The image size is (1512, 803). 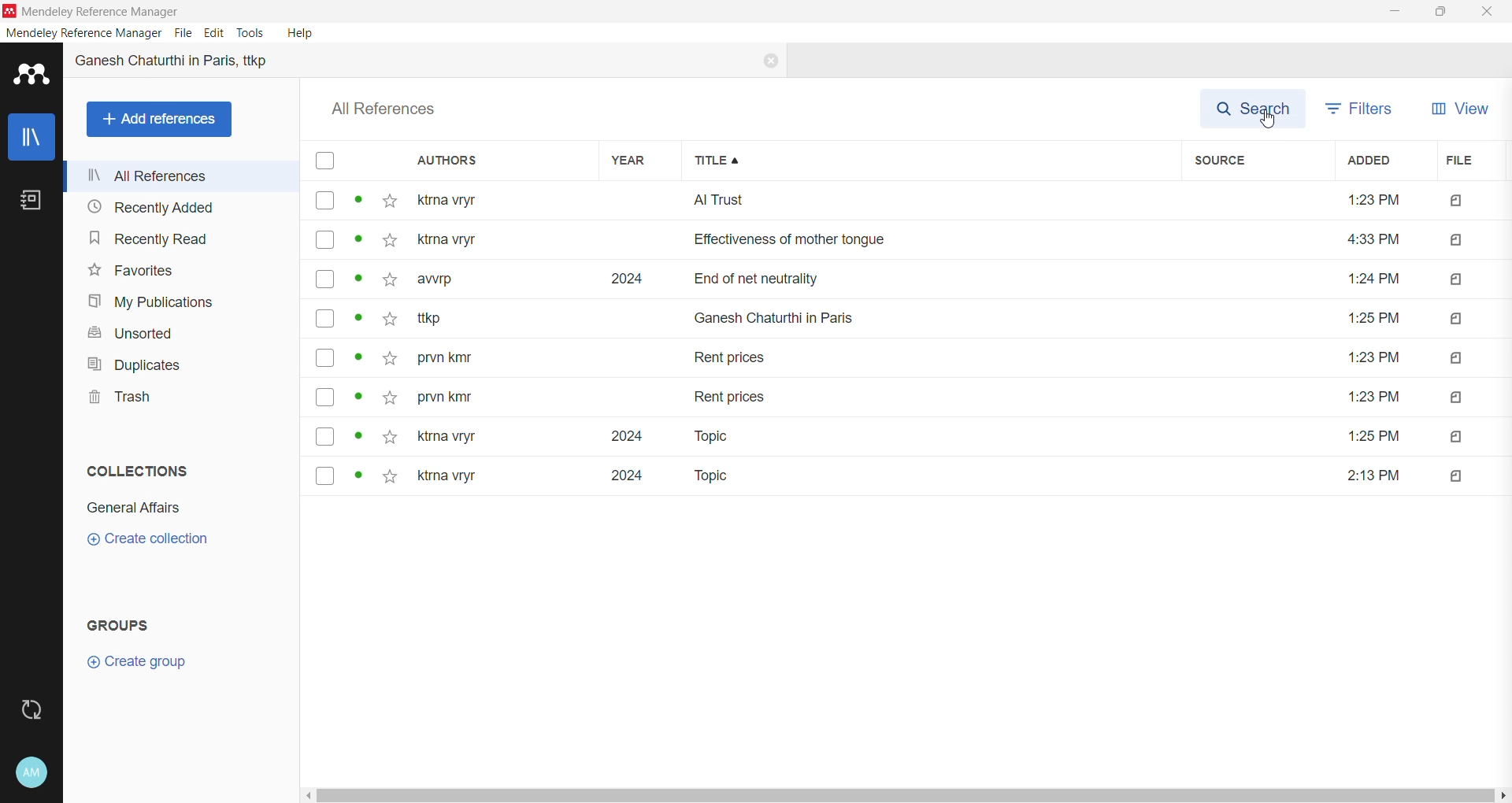 What do you see at coordinates (391, 319) in the screenshot?
I see `add to favorites` at bounding box center [391, 319].